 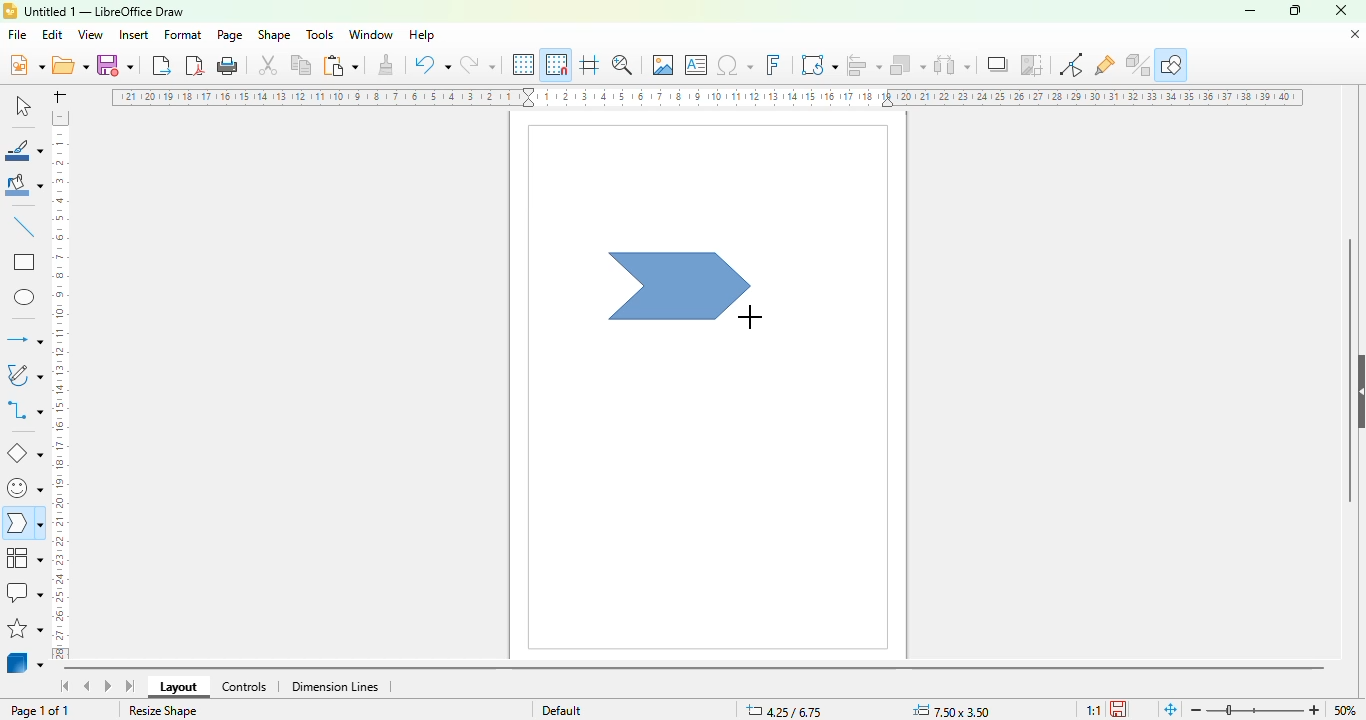 What do you see at coordinates (1104, 66) in the screenshot?
I see `show gluepoint functions` at bounding box center [1104, 66].